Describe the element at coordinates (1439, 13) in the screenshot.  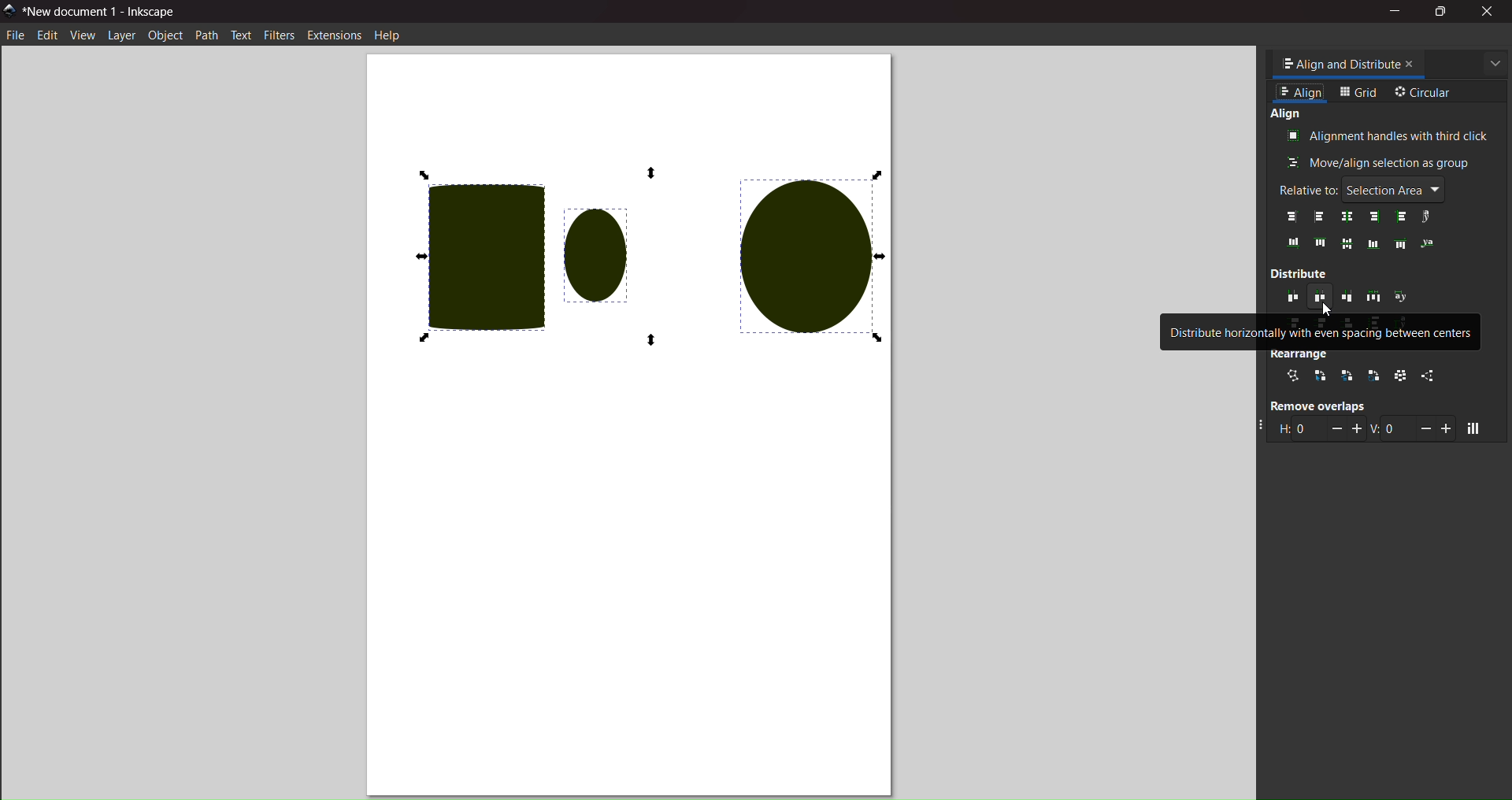
I see `maximize` at that location.